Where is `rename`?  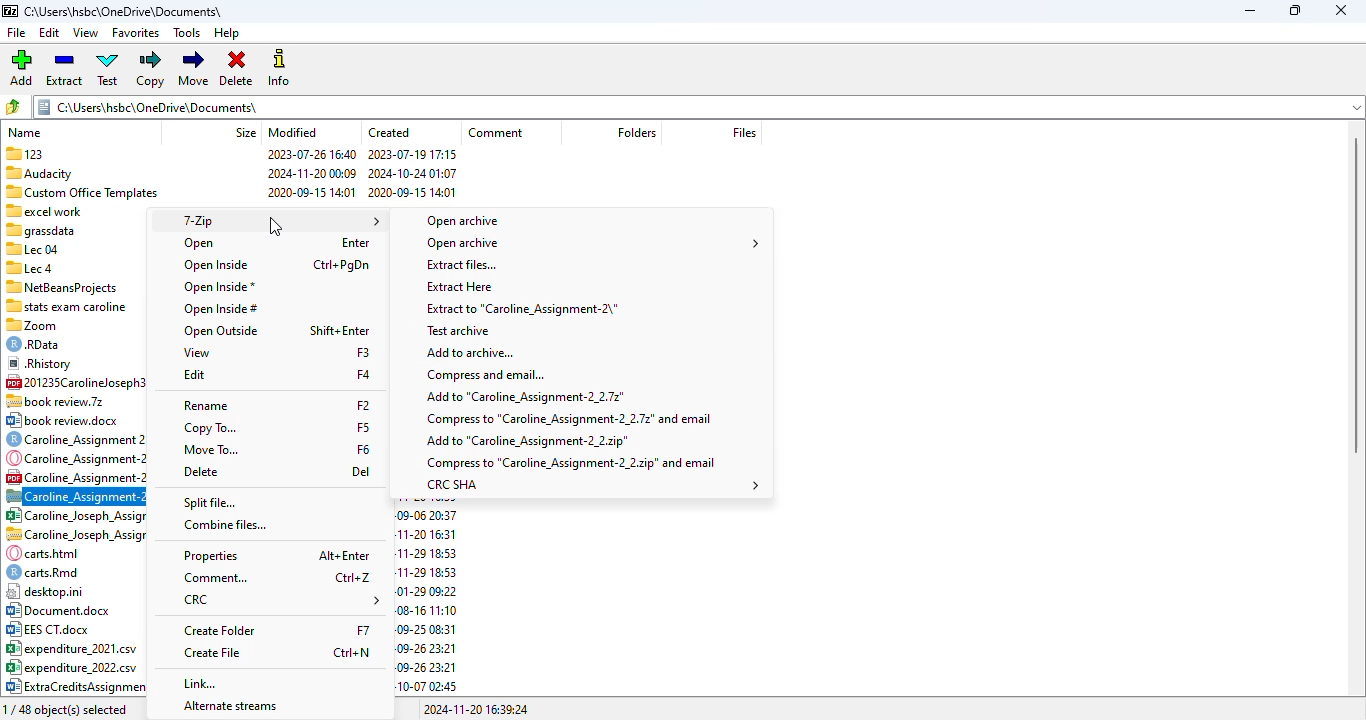
rename is located at coordinates (206, 406).